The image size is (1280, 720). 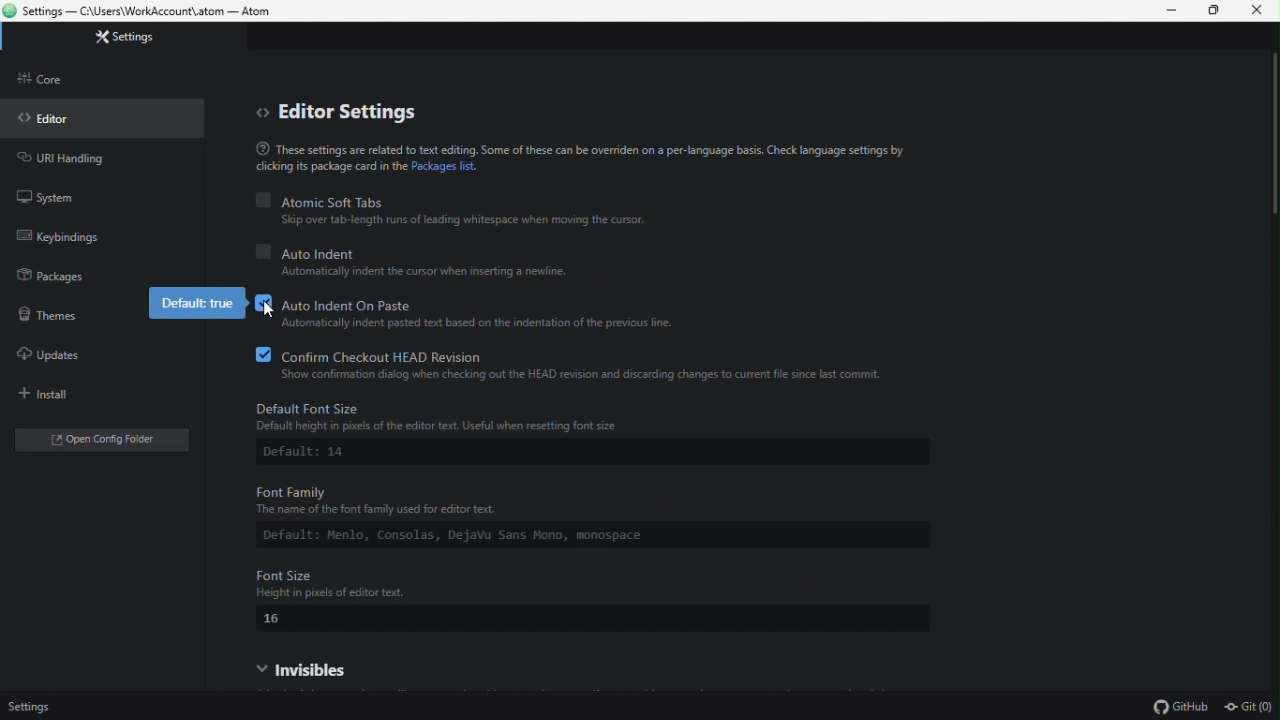 What do you see at coordinates (195, 305) in the screenshot?
I see `default true` at bounding box center [195, 305].